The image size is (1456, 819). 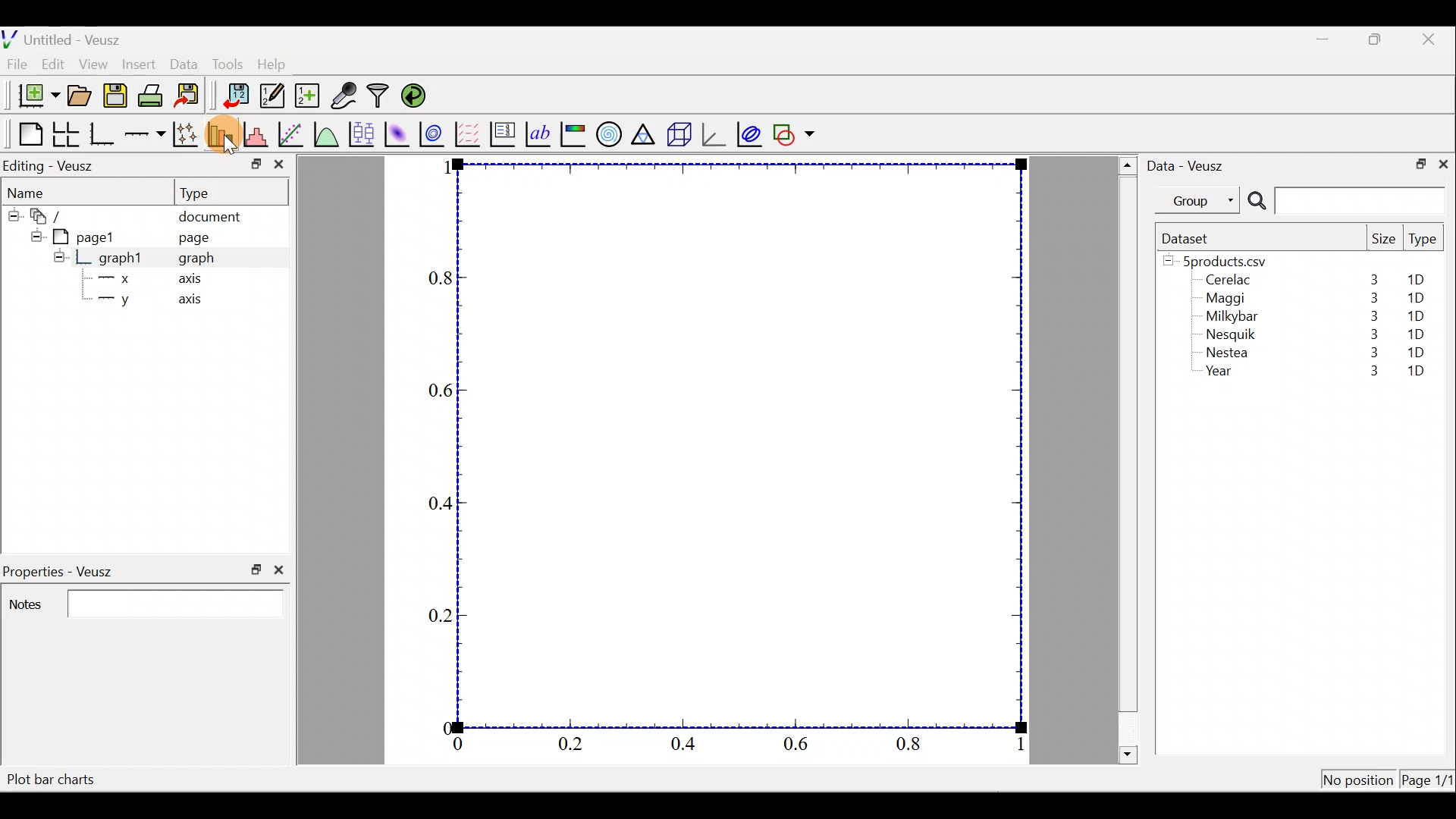 I want to click on 3d scene, so click(x=678, y=134).